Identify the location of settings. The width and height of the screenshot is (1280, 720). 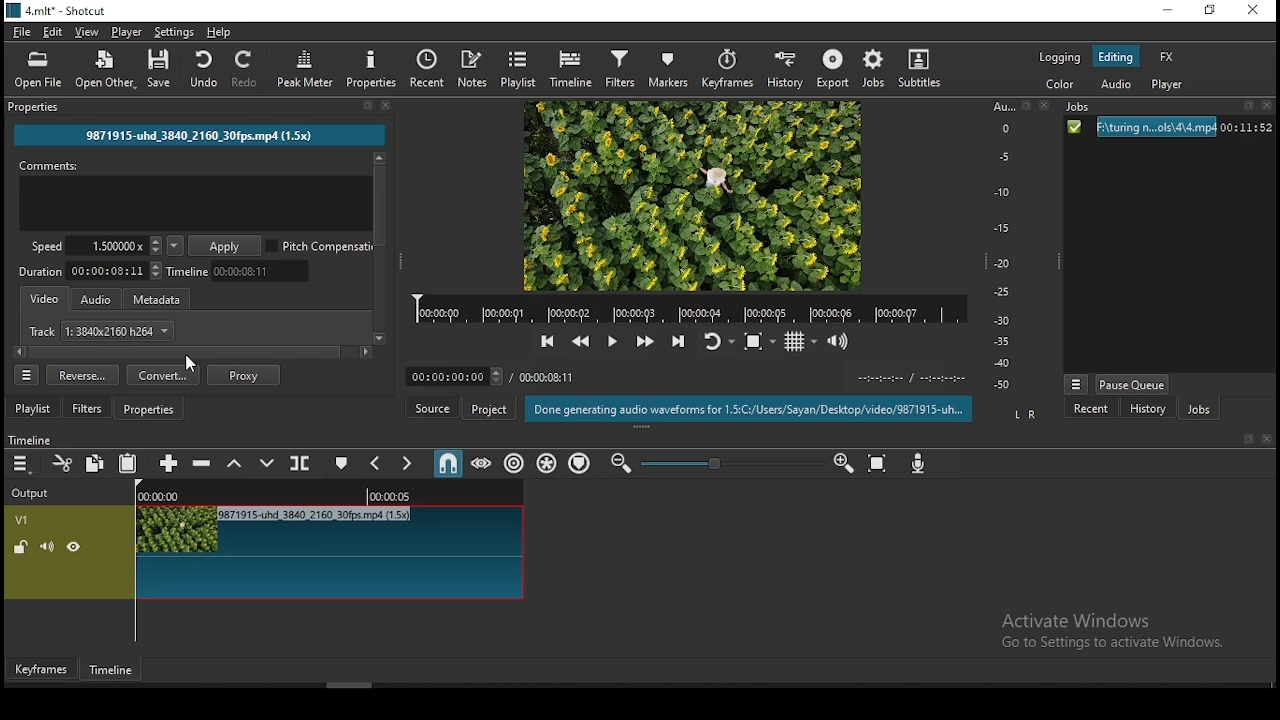
(175, 32).